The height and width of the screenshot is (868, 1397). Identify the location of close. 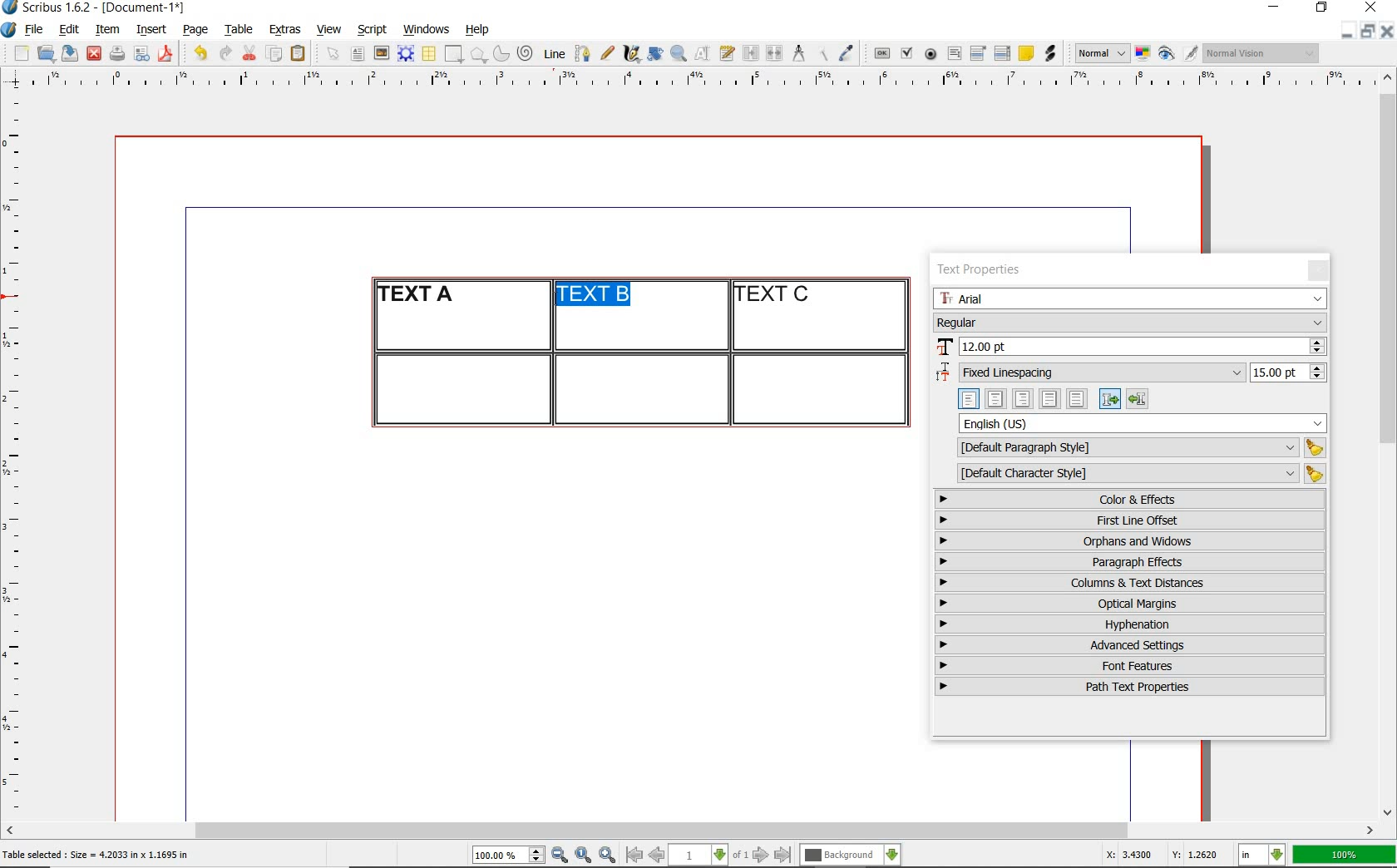
(94, 54).